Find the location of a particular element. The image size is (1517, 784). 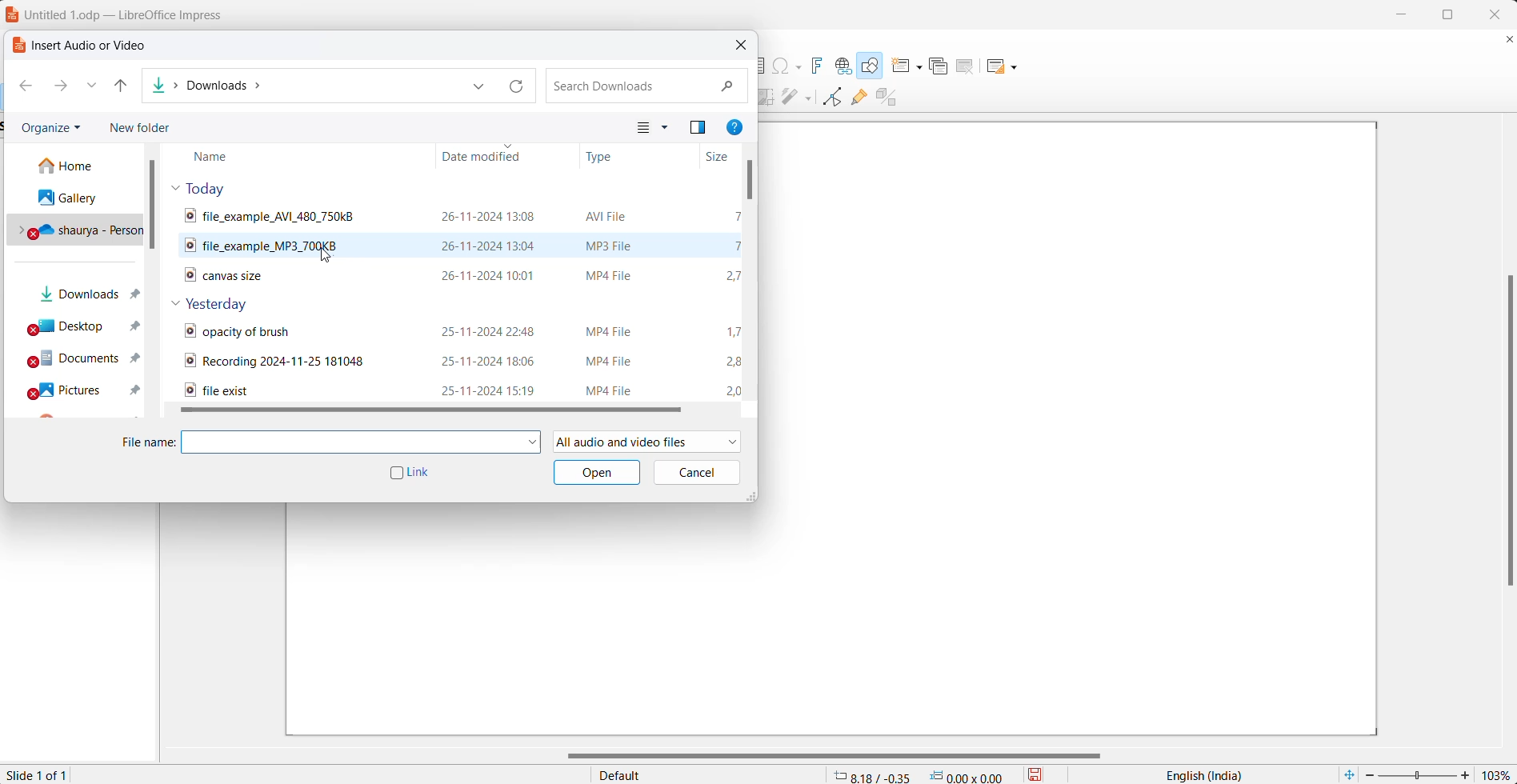

file name text box is located at coordinates (353, 442).